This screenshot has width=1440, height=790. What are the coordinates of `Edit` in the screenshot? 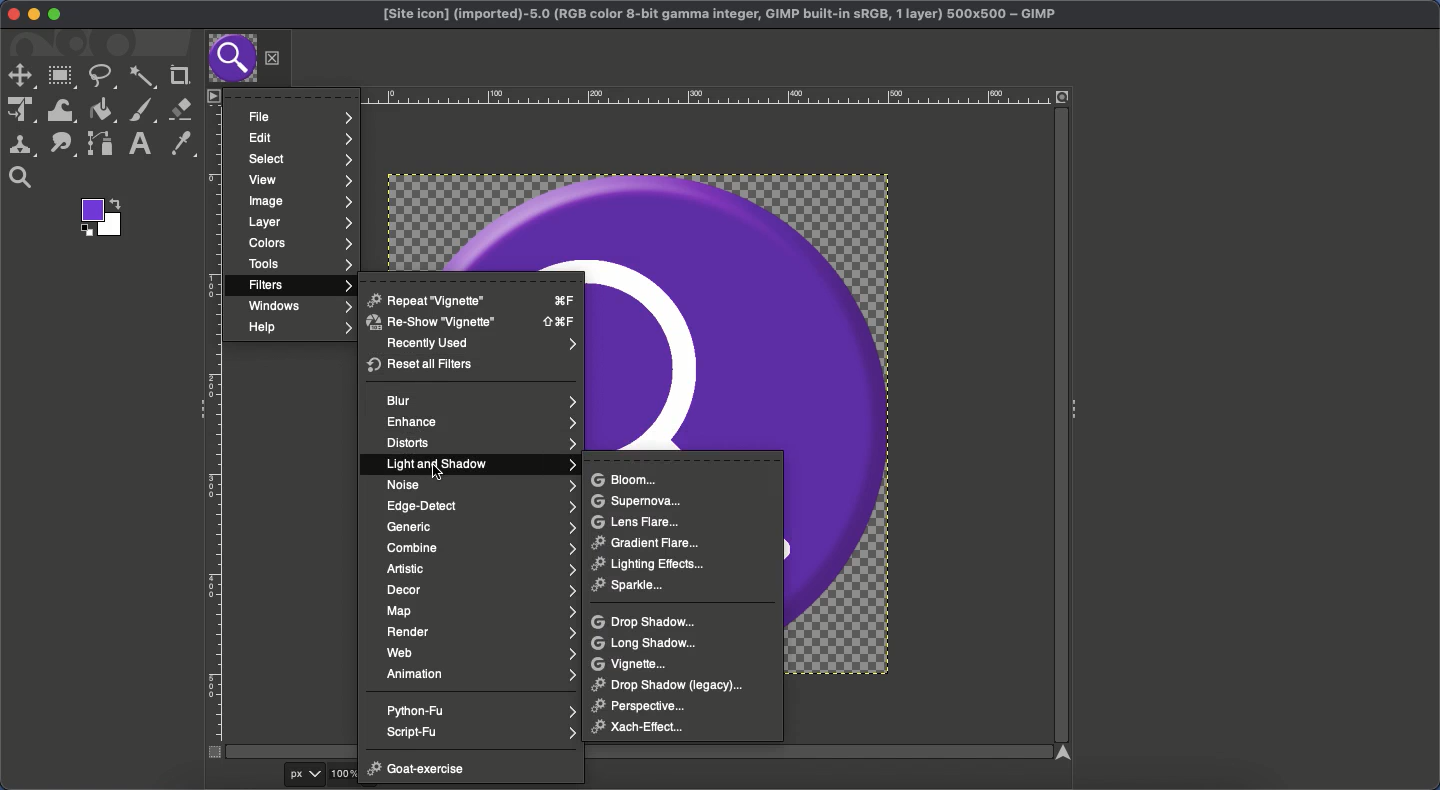 It's located at (298, 139).